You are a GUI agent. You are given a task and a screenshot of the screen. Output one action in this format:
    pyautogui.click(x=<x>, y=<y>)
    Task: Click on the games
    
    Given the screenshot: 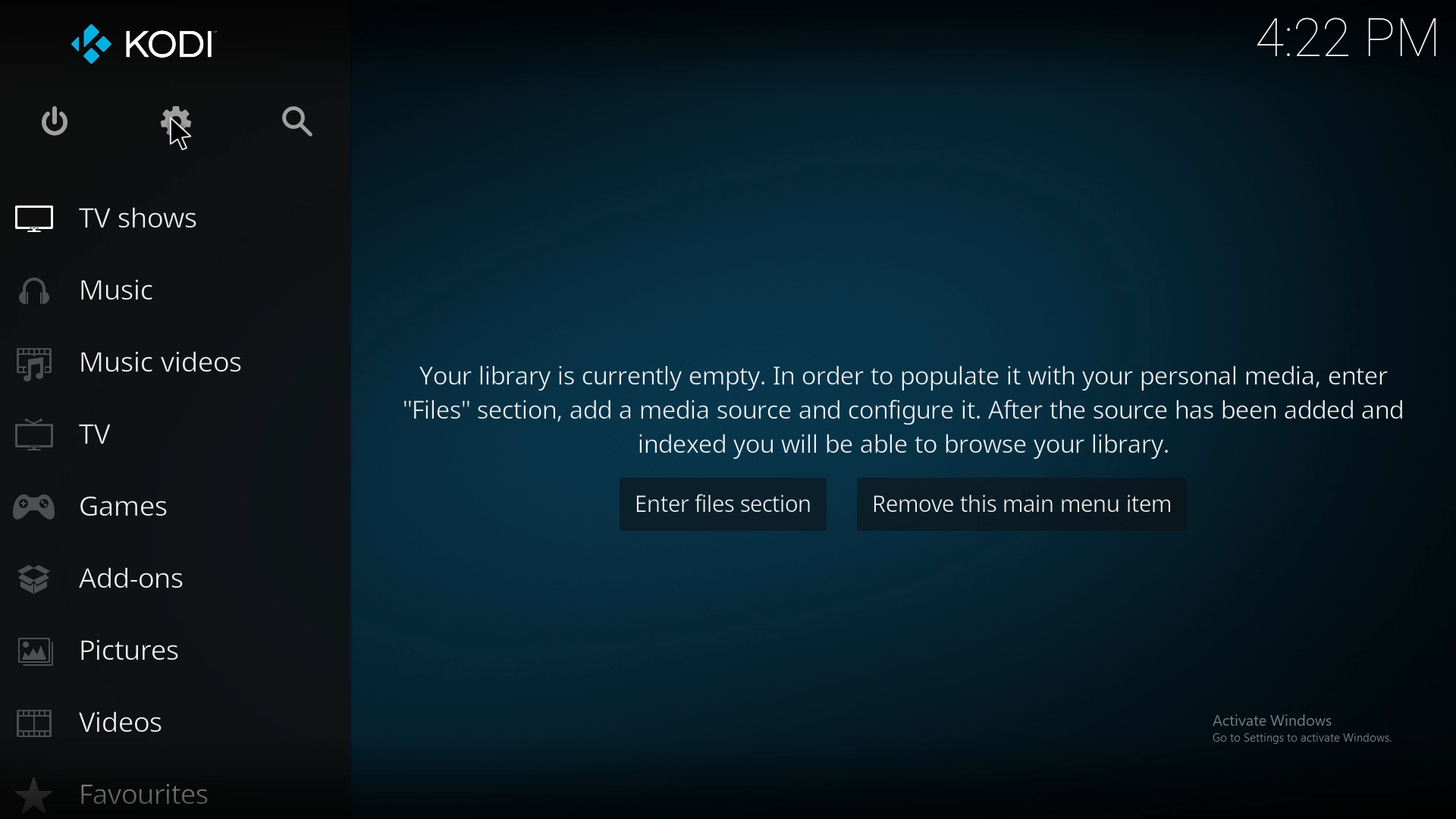 What is the action you would take?
    pyautogui.click(x=155, y=510)
    